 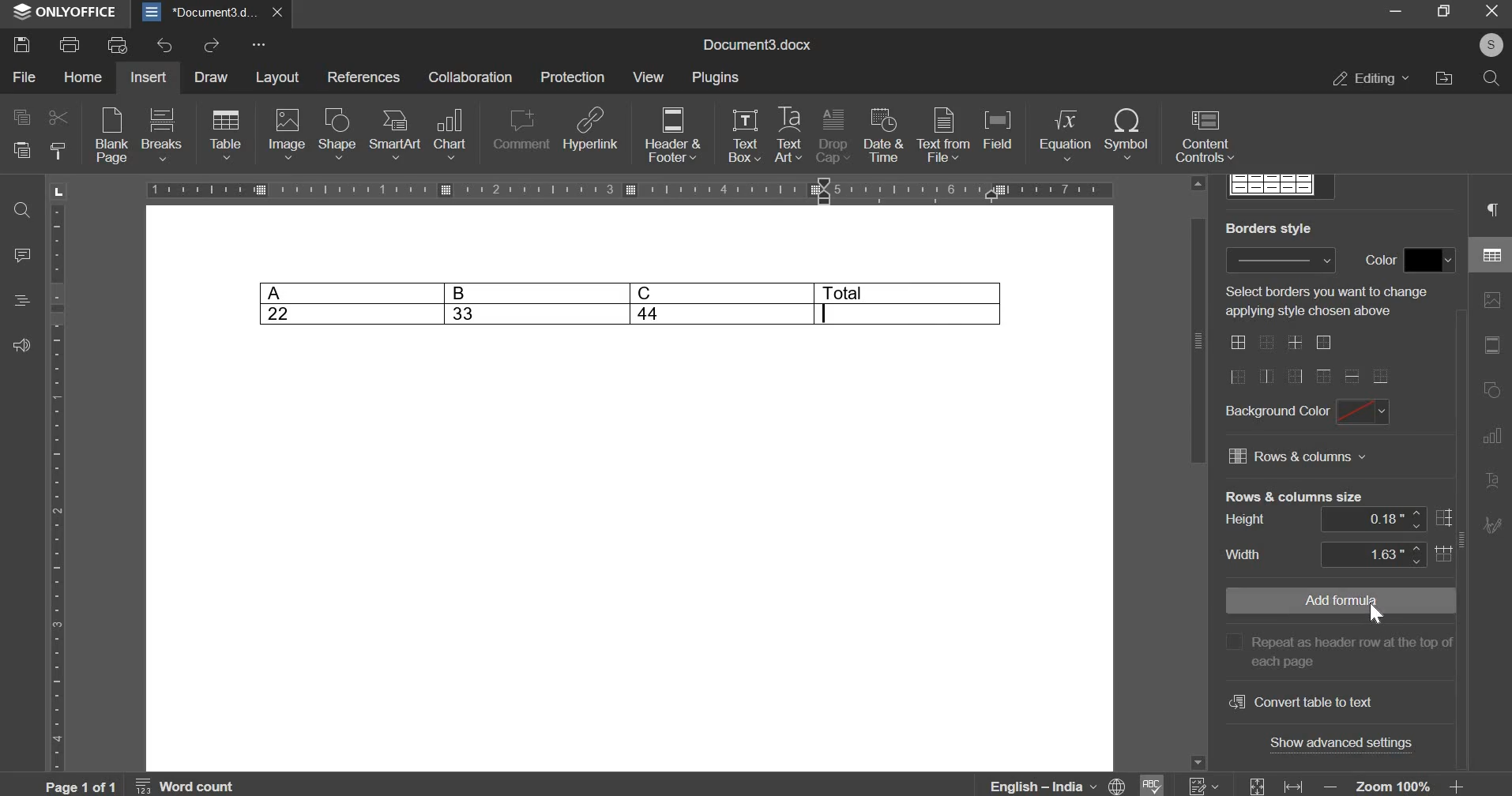 What do you see at coordinates (1127, 134) in the screenshot?
I see `symbol` at bounding box center [1127, 134].